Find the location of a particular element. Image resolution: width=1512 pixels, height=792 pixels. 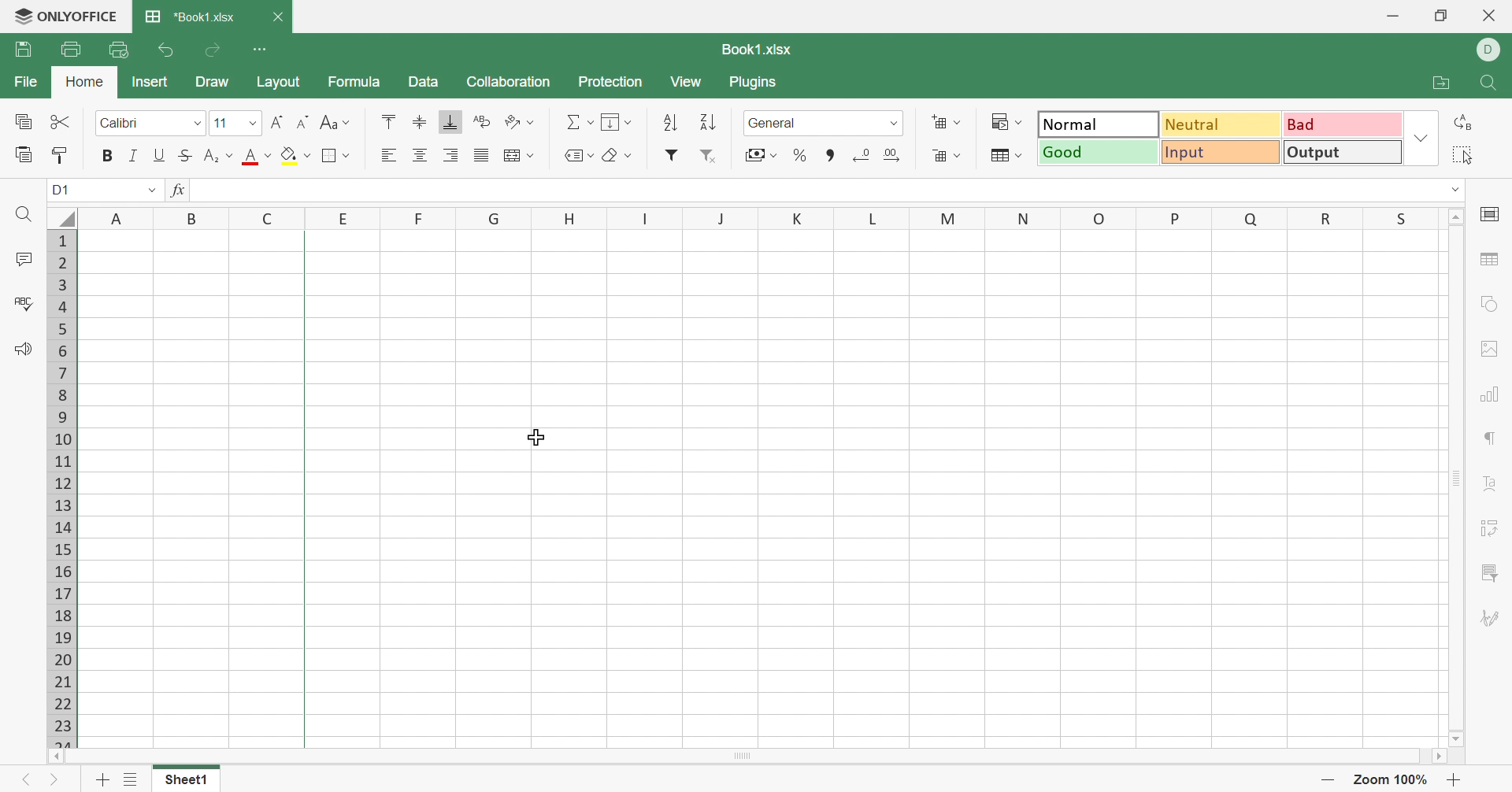

Sheet1 is located at coordinates (187, 781).